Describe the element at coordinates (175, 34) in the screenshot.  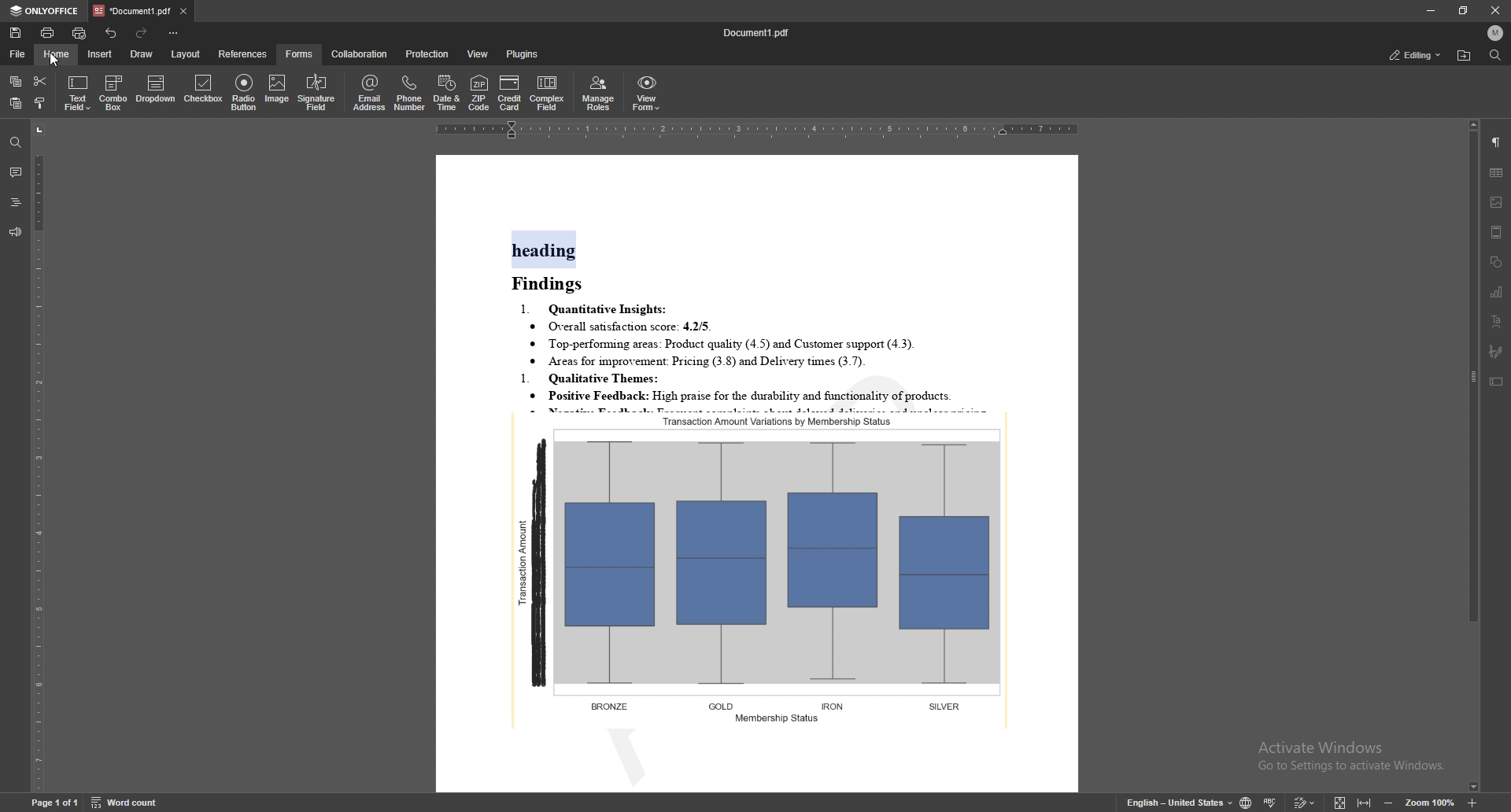
I see `customize toolbar` at that location.